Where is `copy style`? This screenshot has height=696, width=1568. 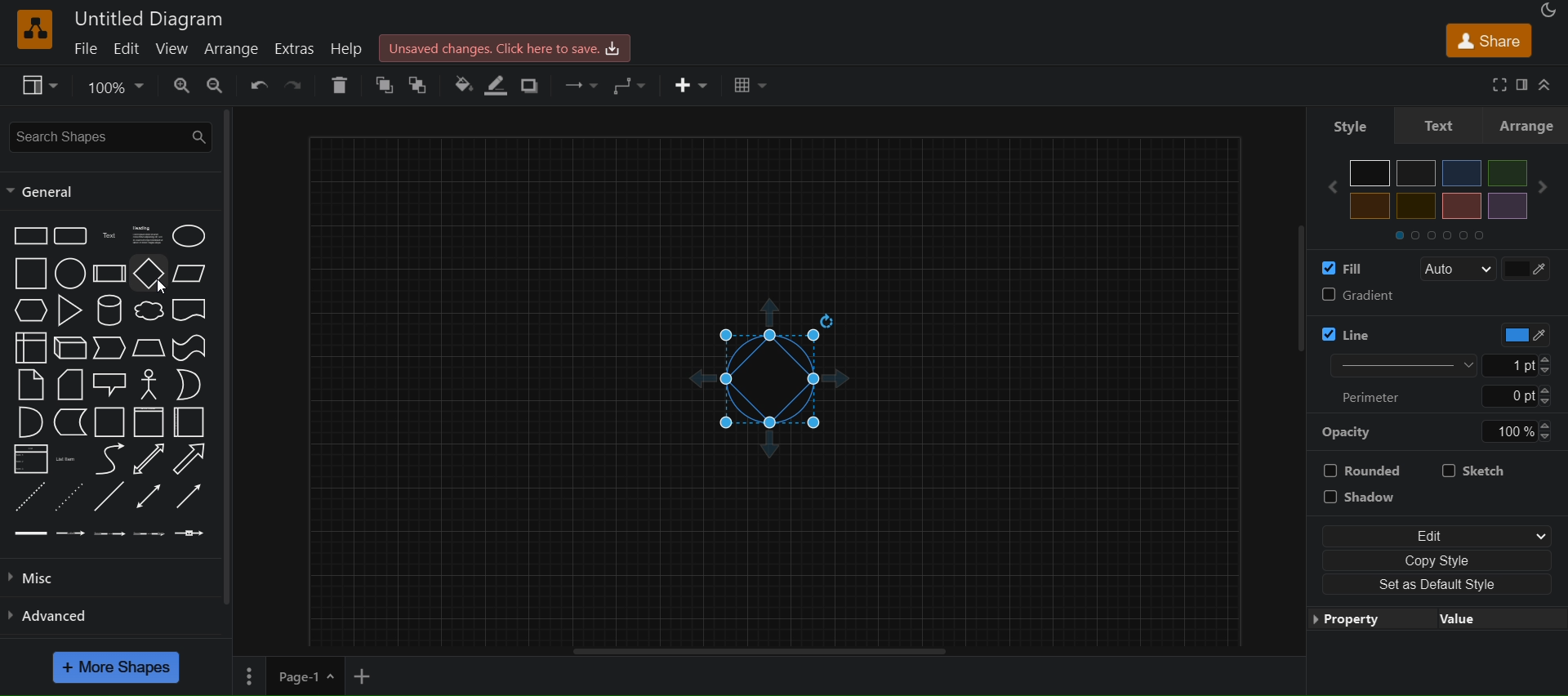 copy style is located at coordinates (1439, 558).